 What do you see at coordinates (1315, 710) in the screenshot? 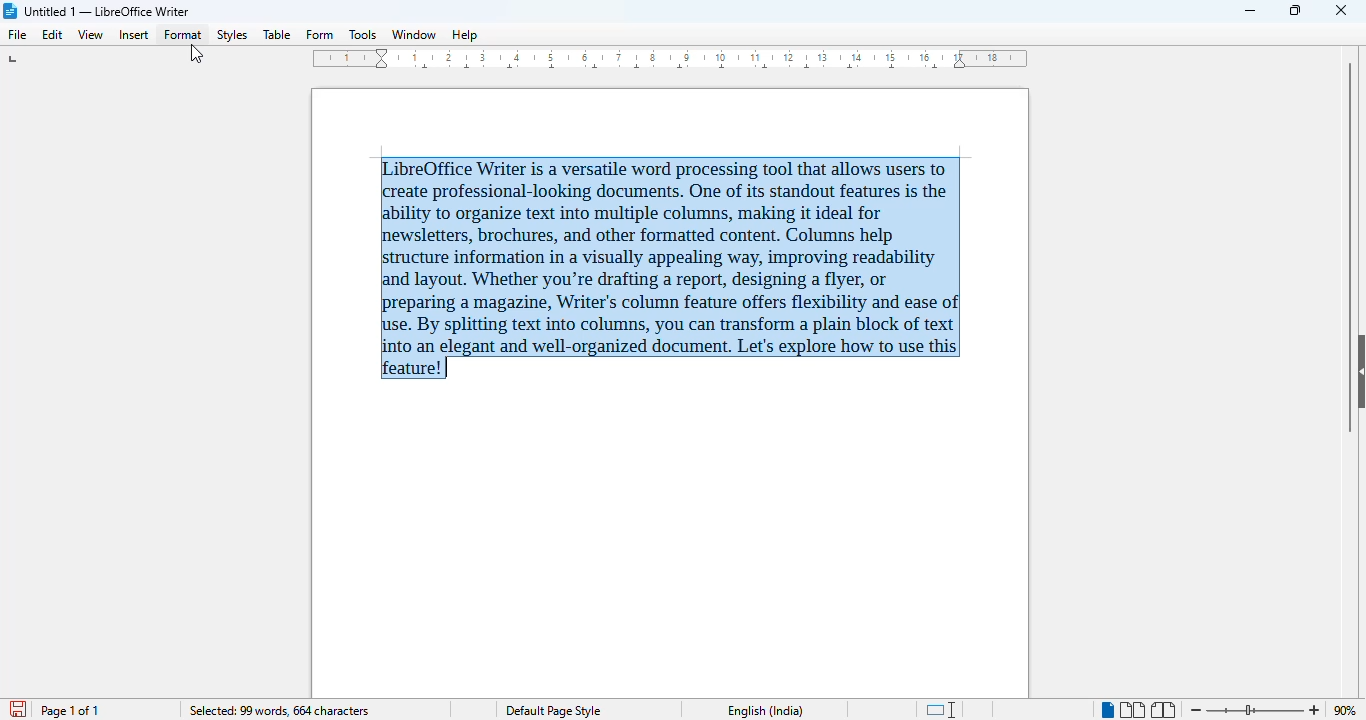
I see `zoom in` at bounding box center [1315, 710].